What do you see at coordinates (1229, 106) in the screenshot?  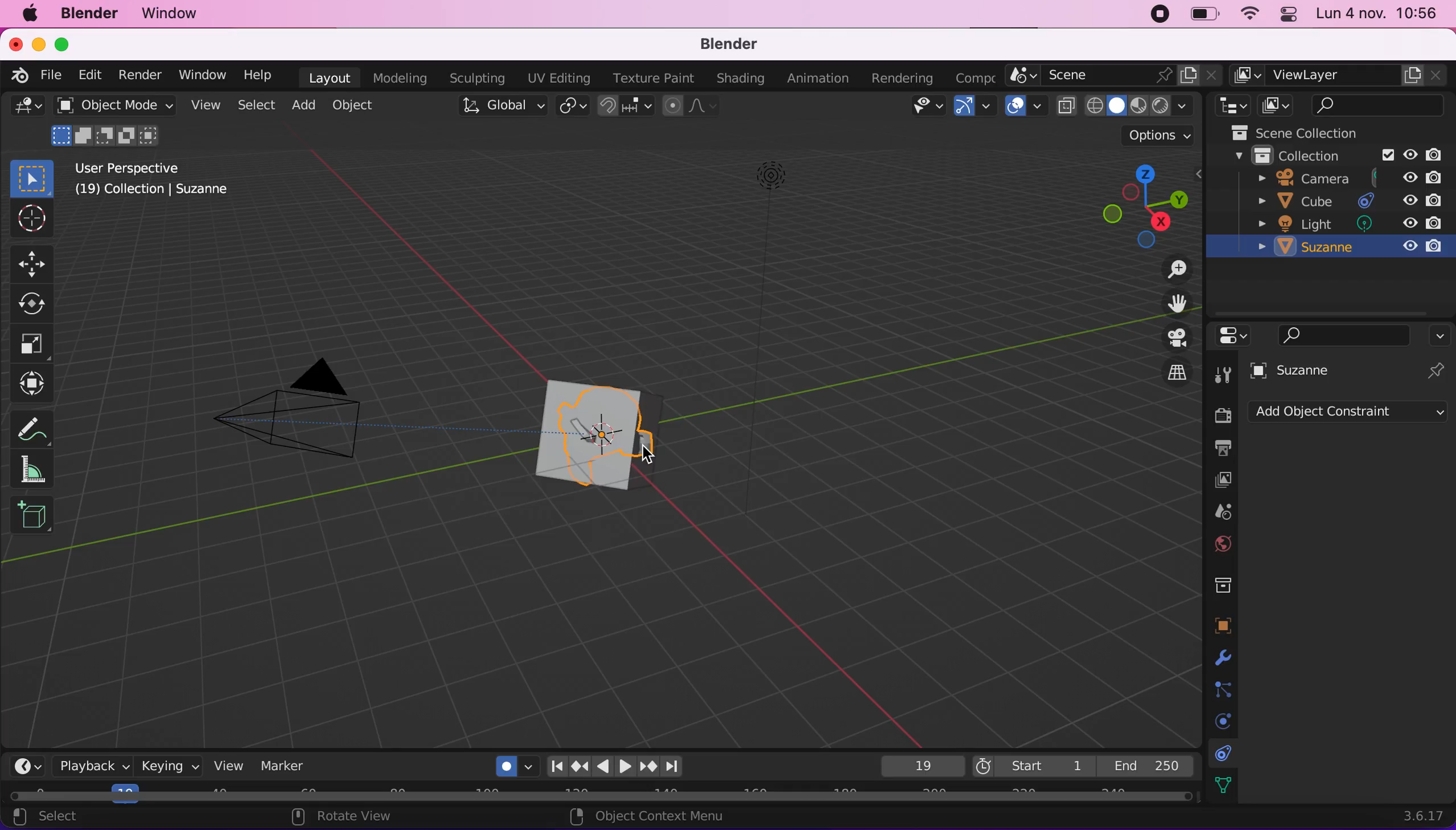 I see `editor type` at bounding box center [1229, 106].